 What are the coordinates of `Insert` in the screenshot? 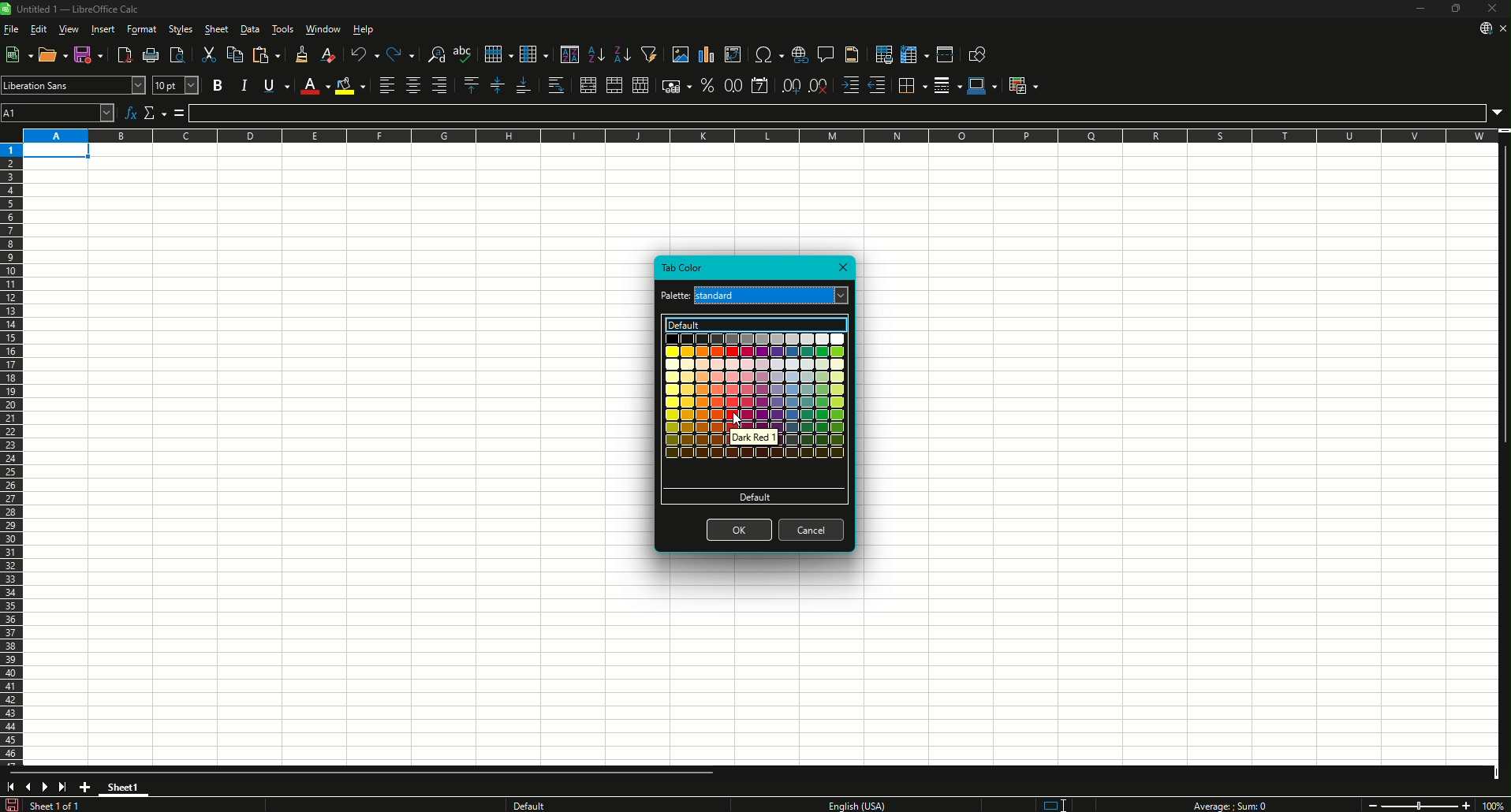 It's located at (103, 28).